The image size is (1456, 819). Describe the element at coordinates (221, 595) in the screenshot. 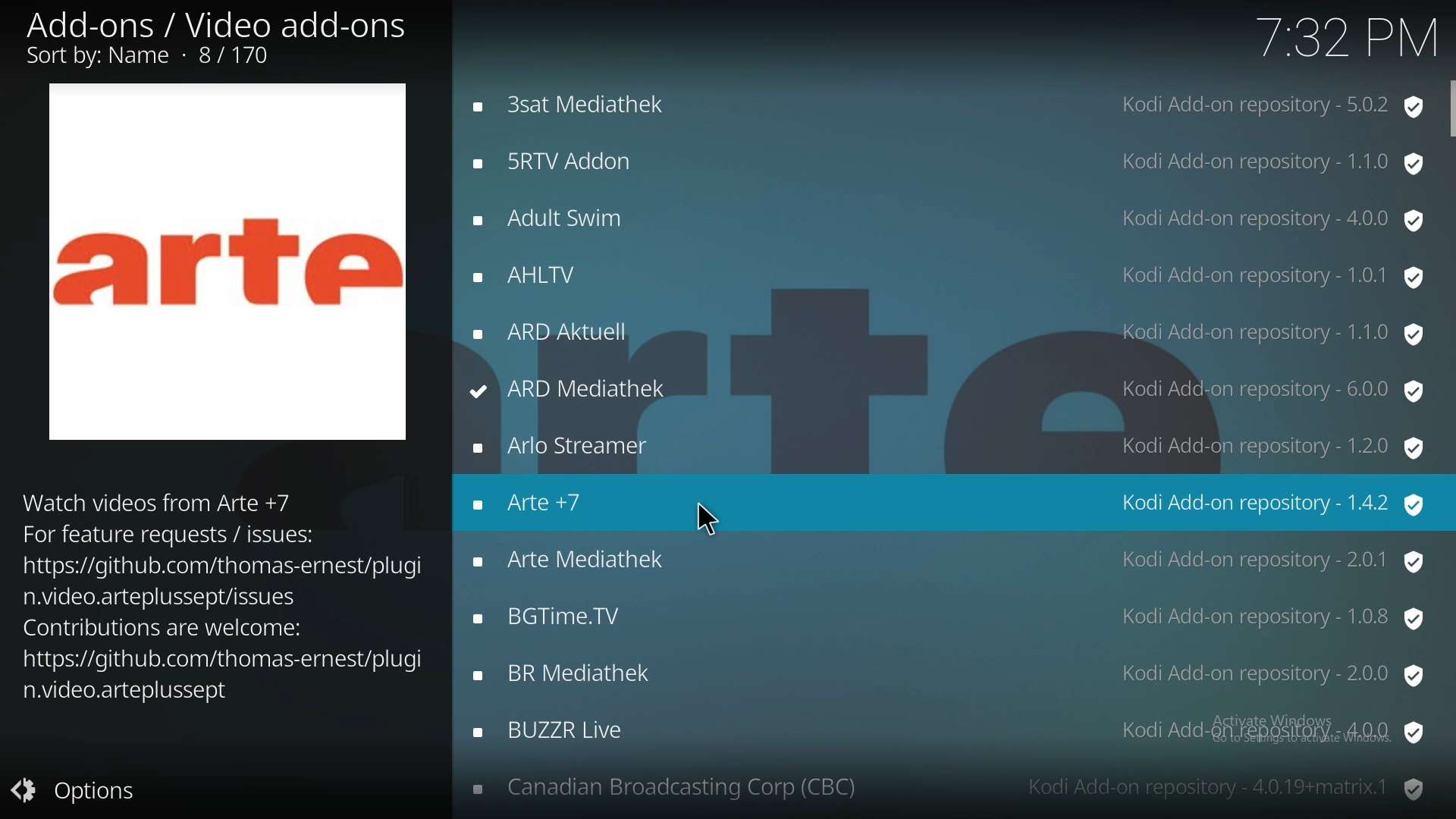

I see `description` at that location.